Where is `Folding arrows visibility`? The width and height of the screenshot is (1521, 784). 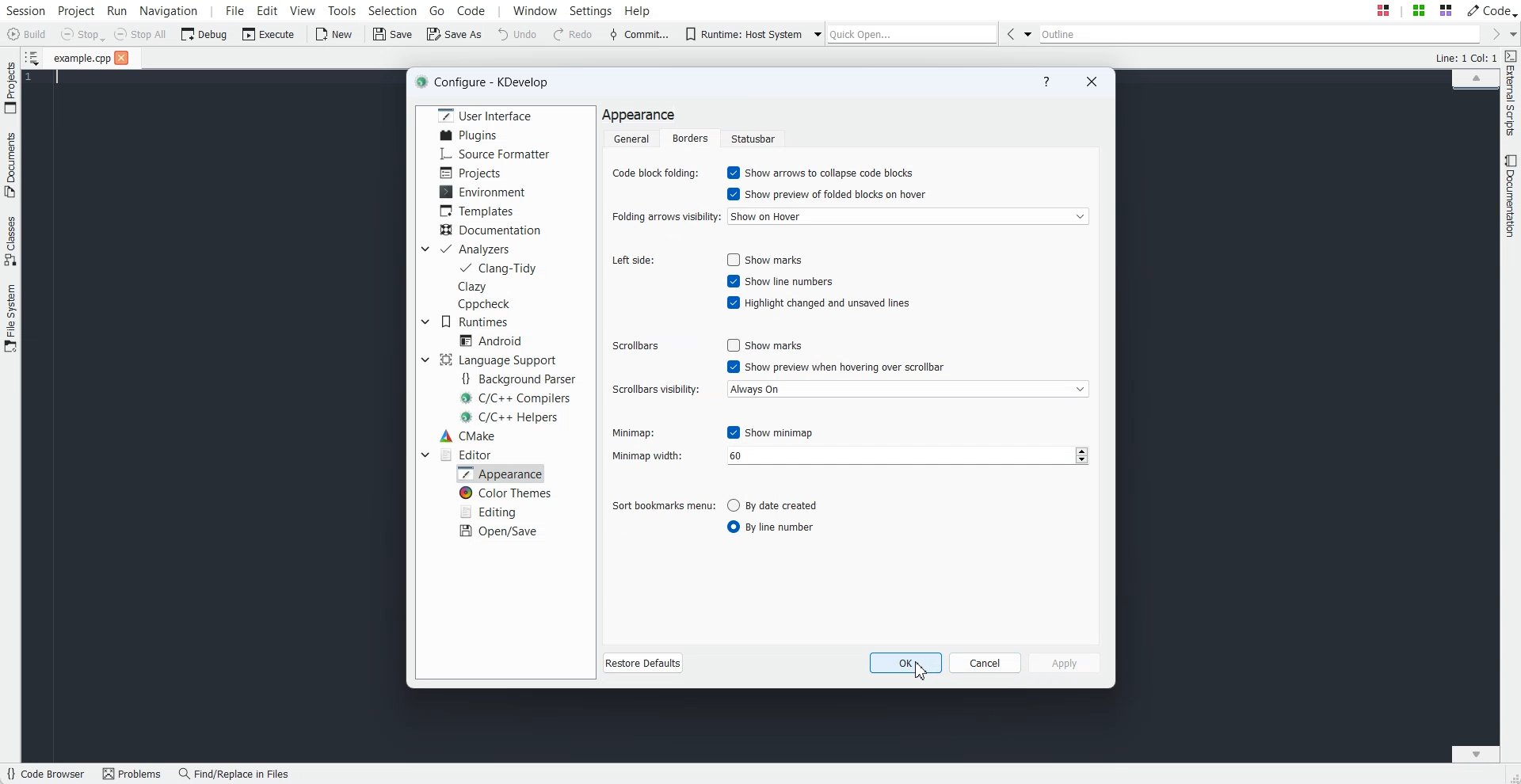
Folding arrows visibility is located at coordinates (663, 219).